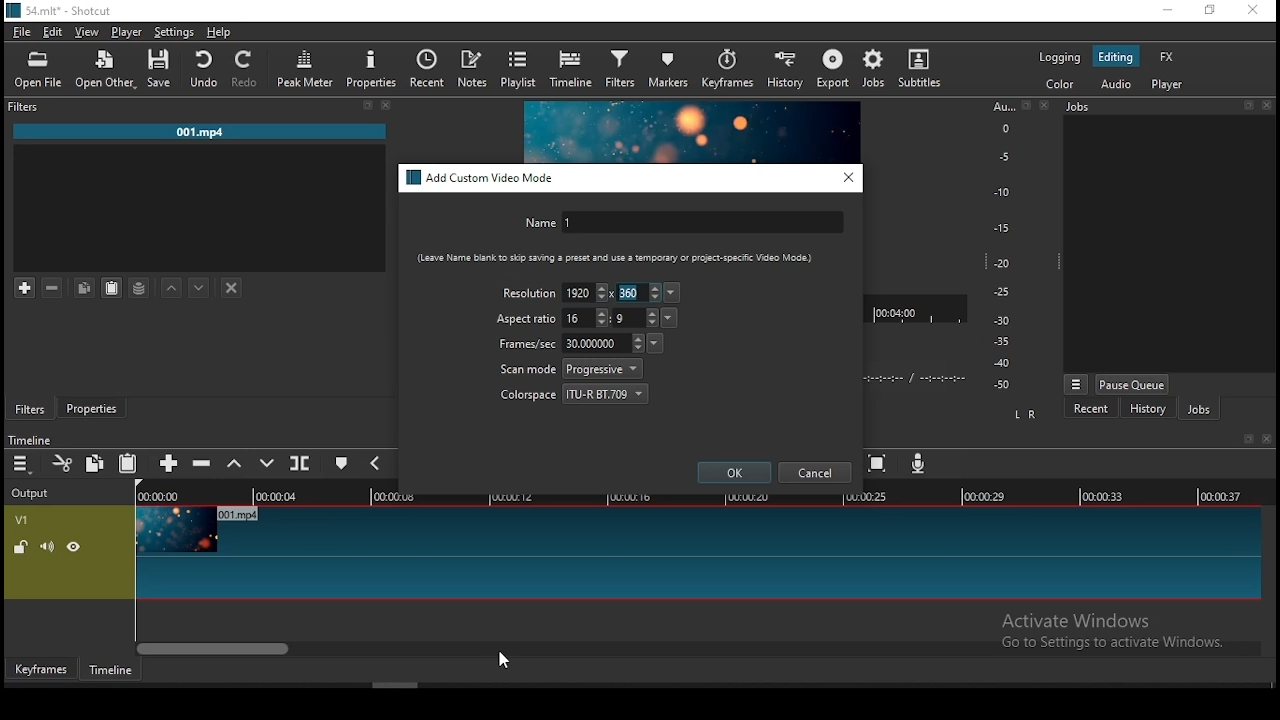 The width and height of the screenshot is (1280, 720). Describe the element at coordinates (654, 342) in the screenshot. I see `frames per second presets` at that location.